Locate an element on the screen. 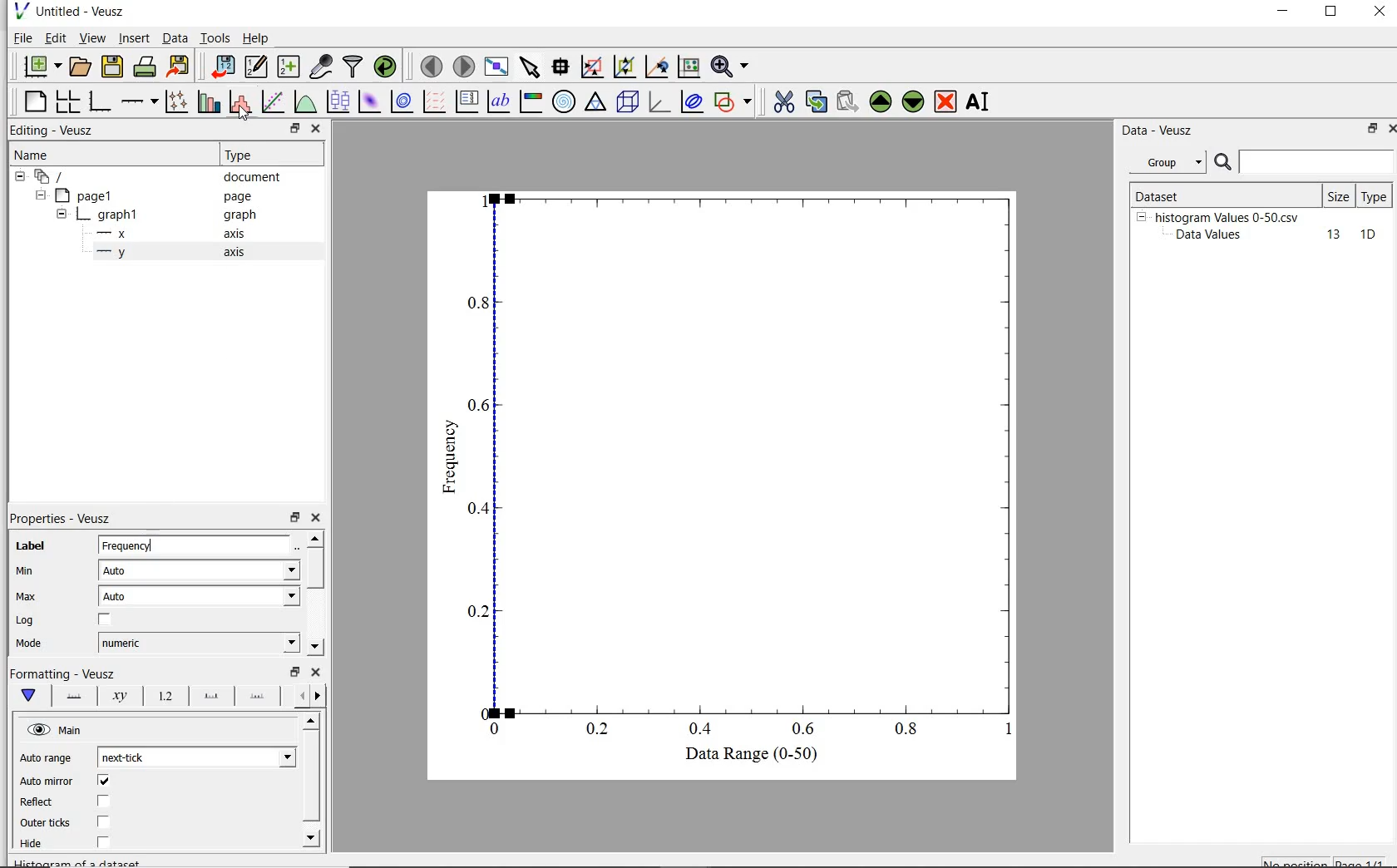  veusz logo is located at coordinates (20, 11).